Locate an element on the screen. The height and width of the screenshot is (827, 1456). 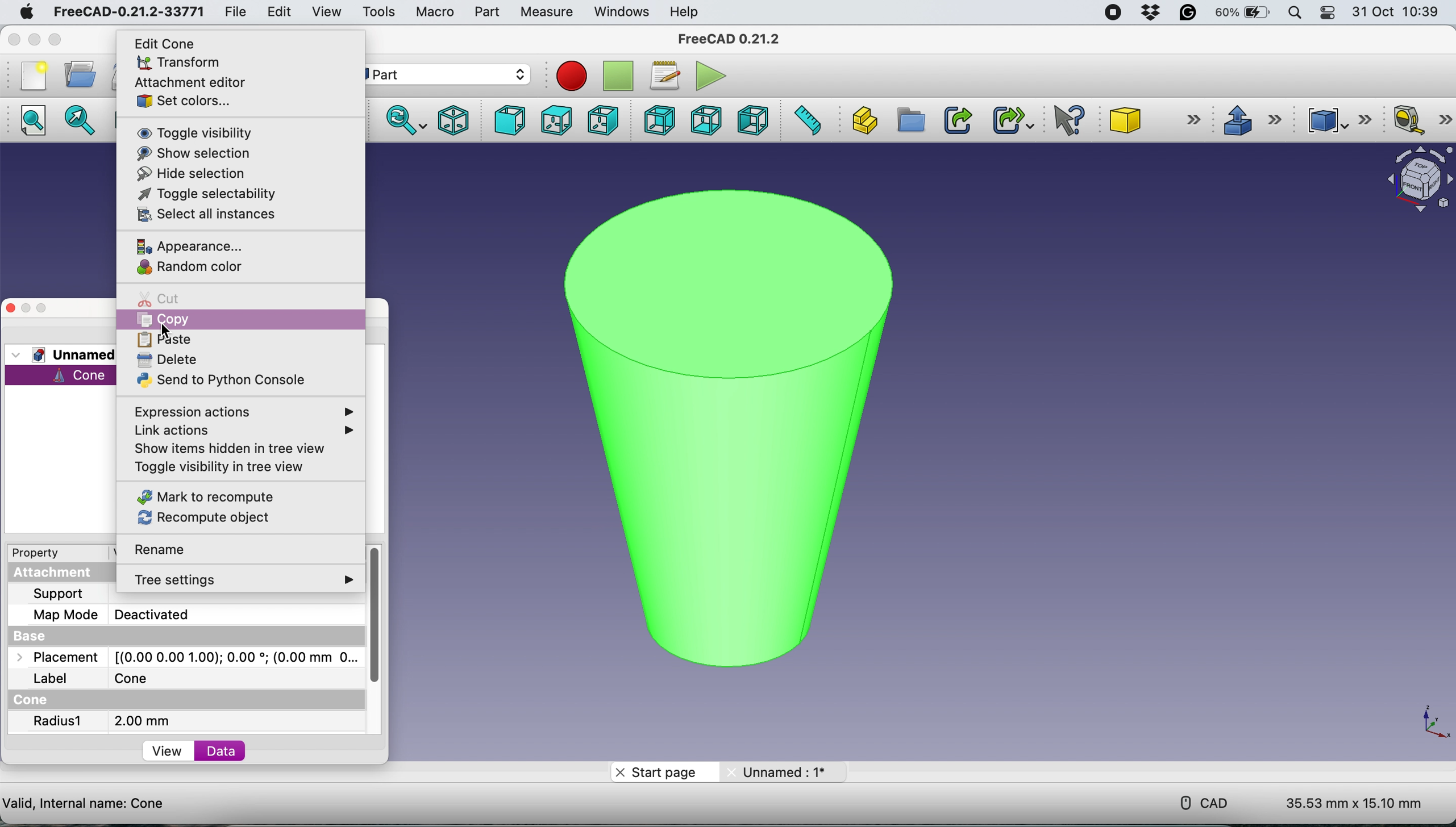
part is located at coordinates (450, 74).